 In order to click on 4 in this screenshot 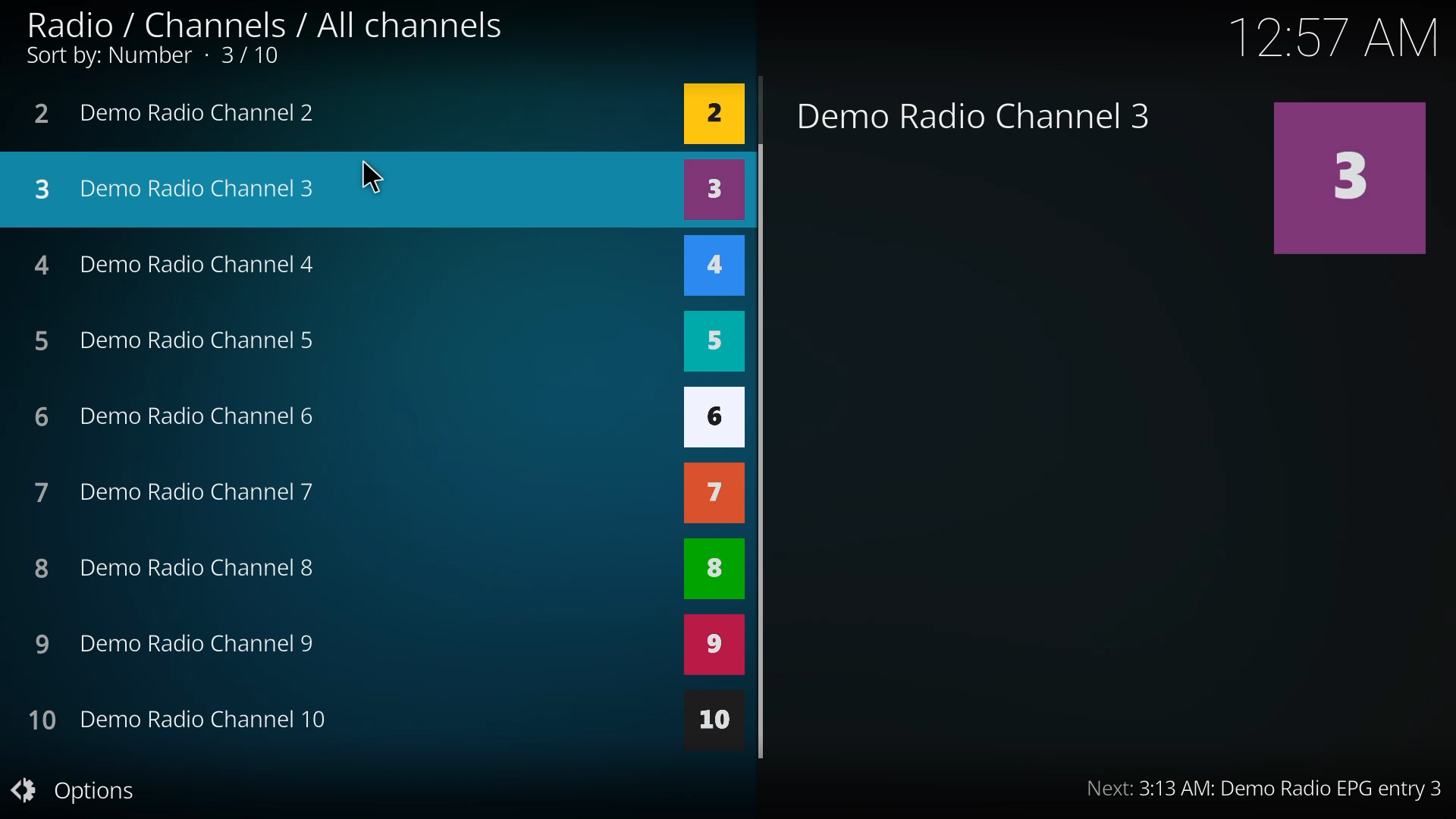, I will do `click(713, 268)`.